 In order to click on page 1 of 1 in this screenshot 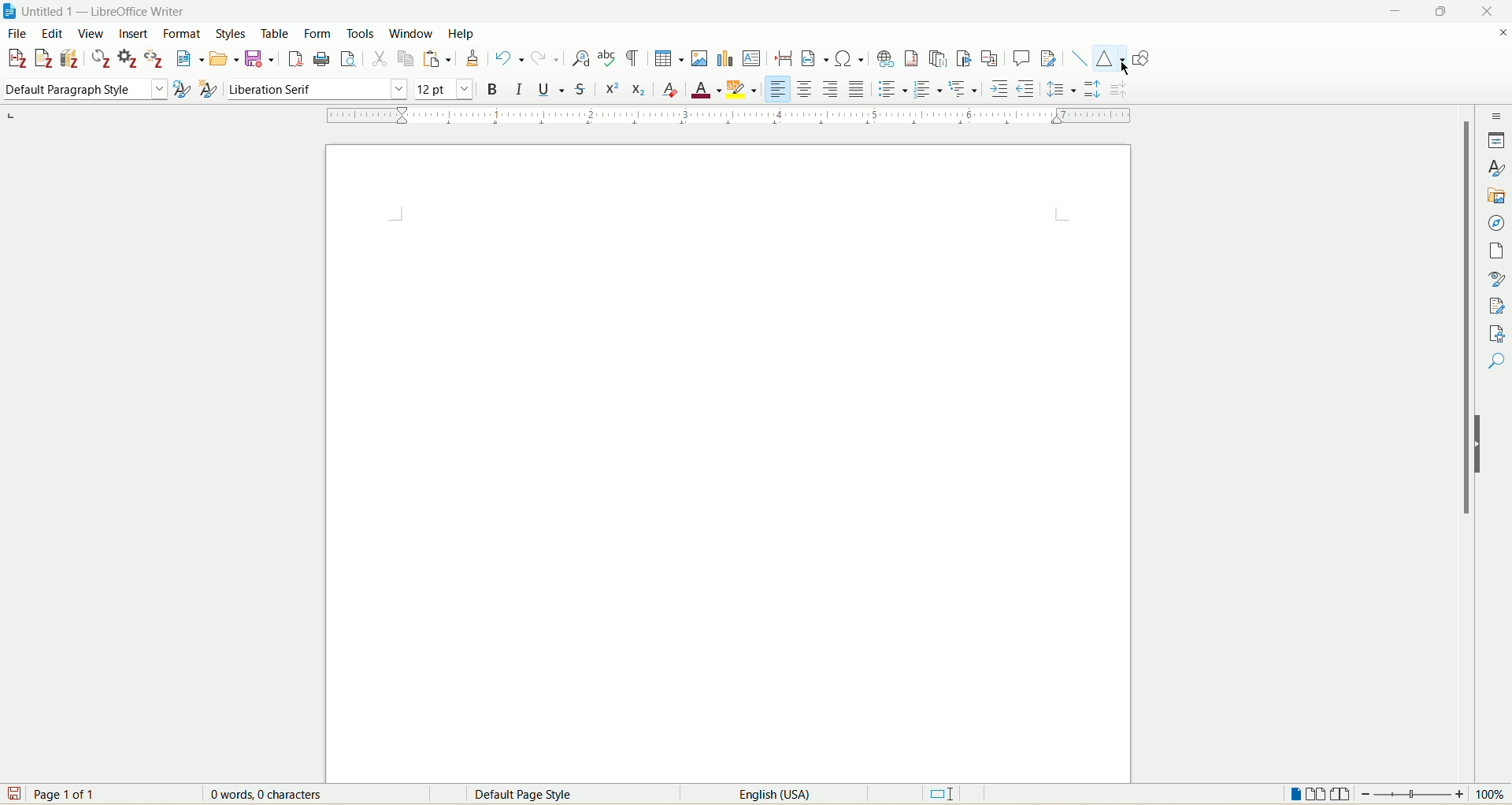, I will do `click(69, 793)`.